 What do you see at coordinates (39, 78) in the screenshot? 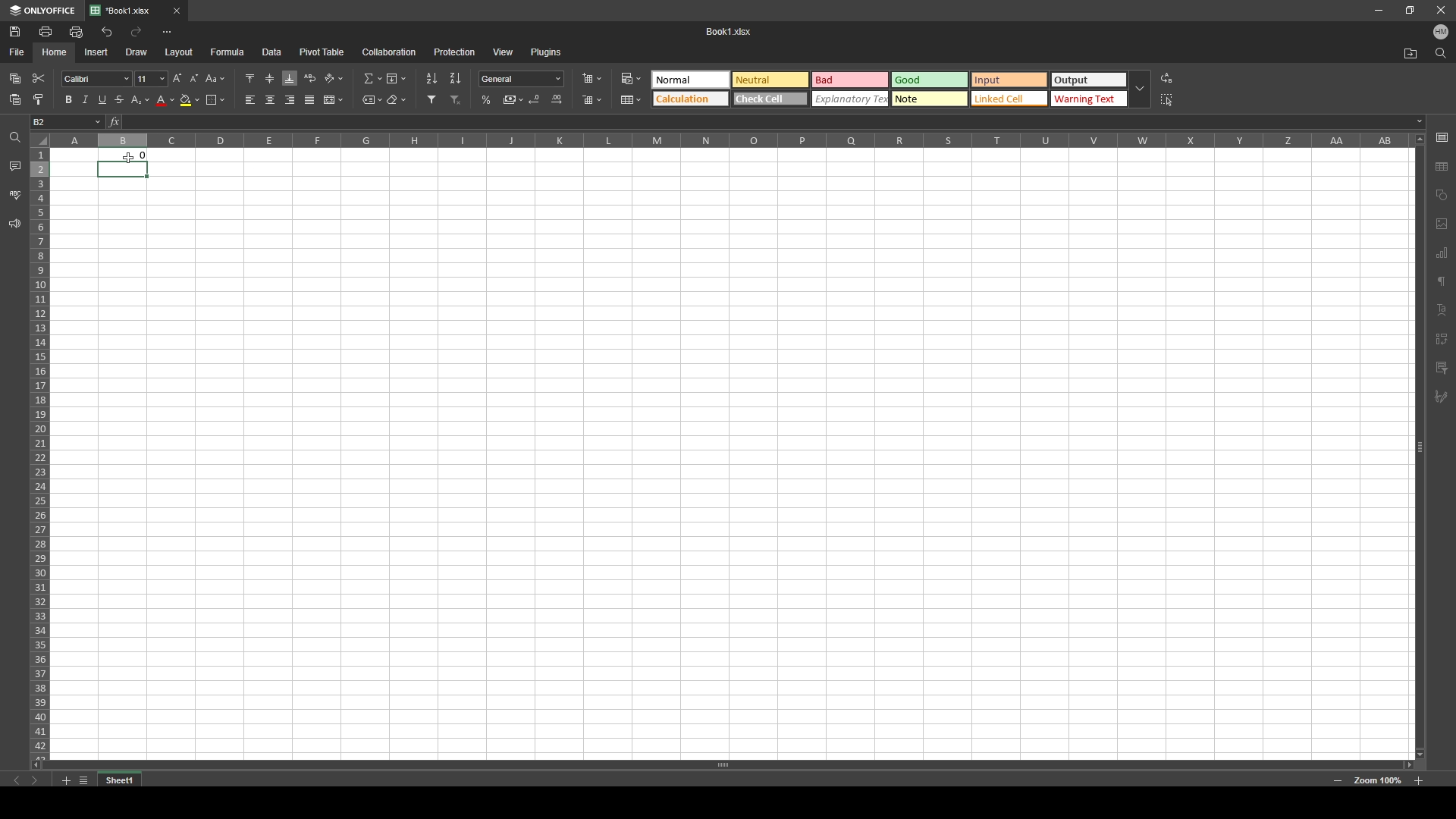
I see `cut` at bounding box center [39, 78].